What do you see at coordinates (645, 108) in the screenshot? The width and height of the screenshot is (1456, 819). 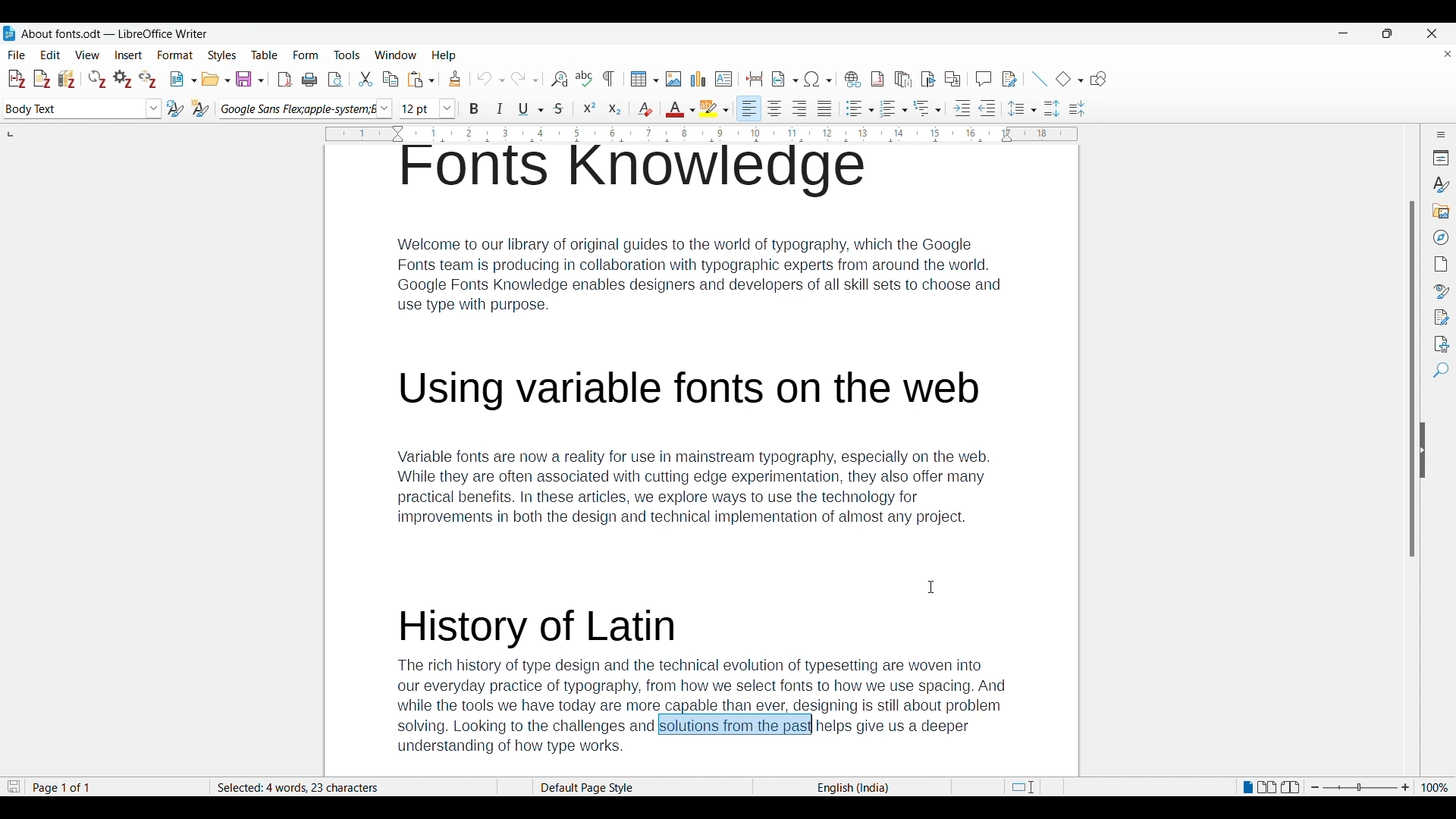 I see `Clear direct formatting` at bounding box center [645, 108].